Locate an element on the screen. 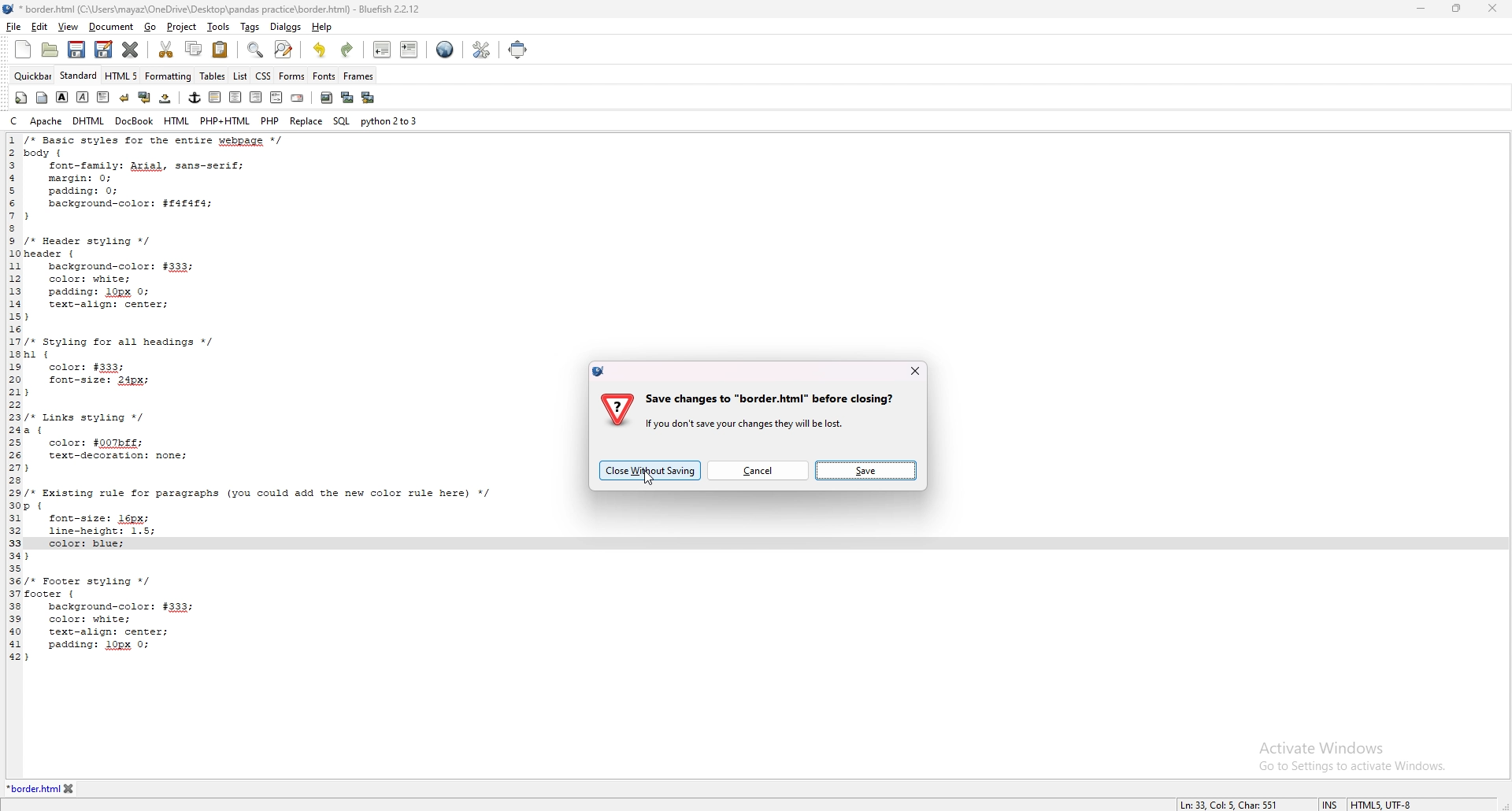  open is located at coordinates (50, 51).